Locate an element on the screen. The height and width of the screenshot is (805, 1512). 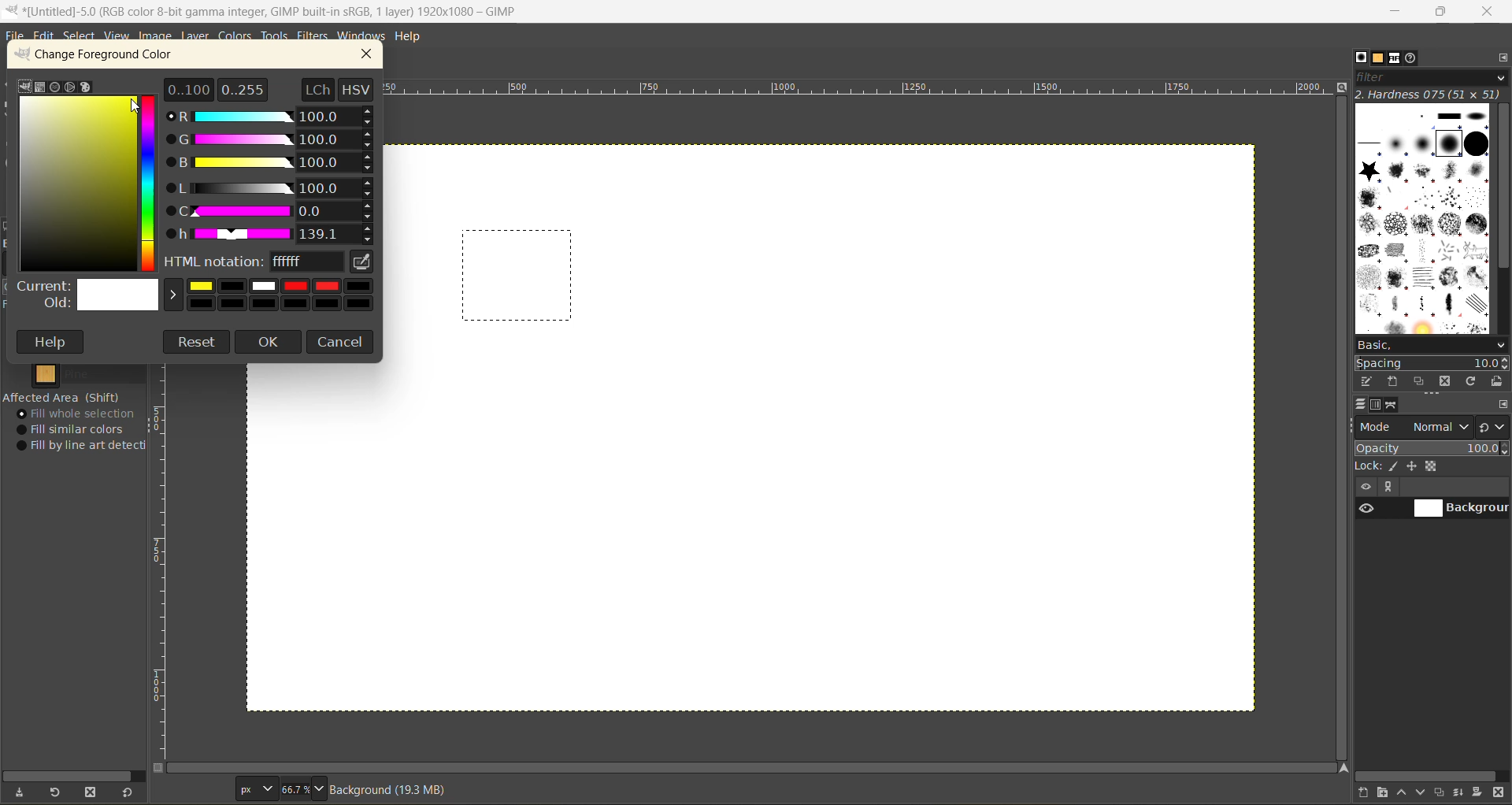
fonts is located at coordinates (1392, 58).